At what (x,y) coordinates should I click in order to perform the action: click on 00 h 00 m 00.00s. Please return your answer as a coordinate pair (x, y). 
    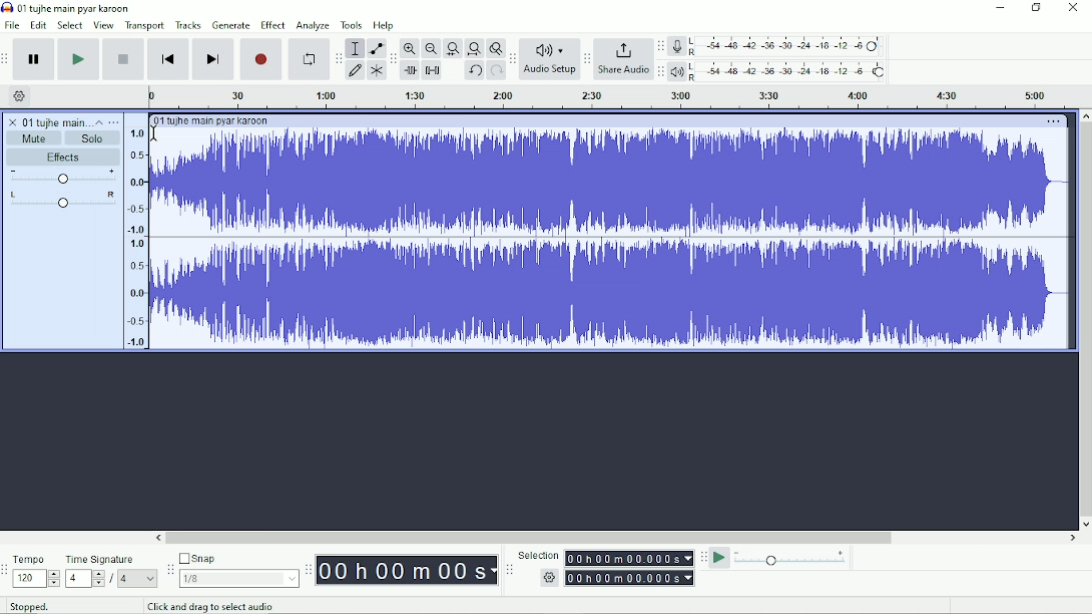
    Looking at the image, I should click on (630, 558).